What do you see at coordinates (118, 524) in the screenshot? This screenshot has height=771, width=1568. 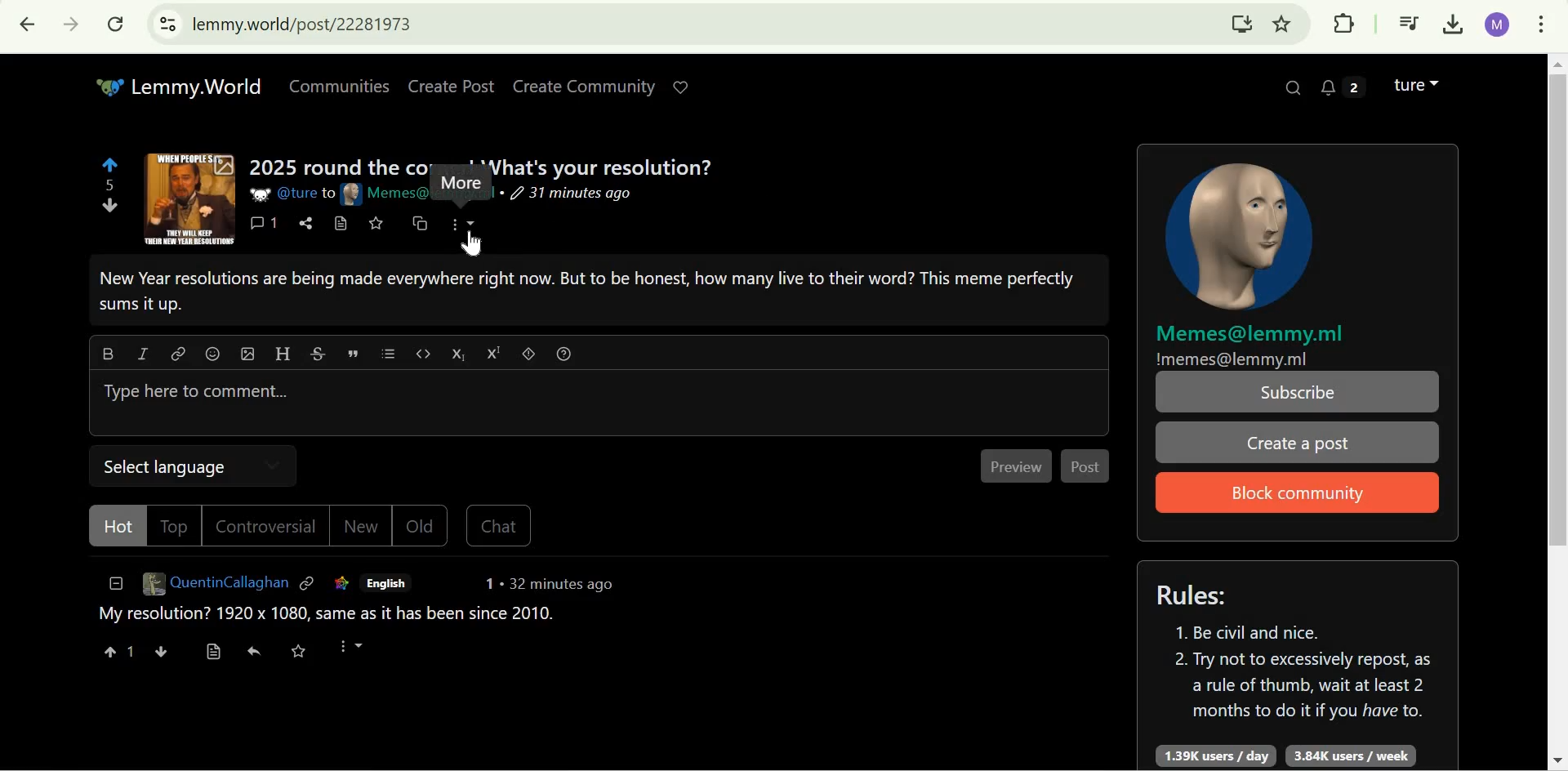 I see `Hot` at bounding box center [118, 524].